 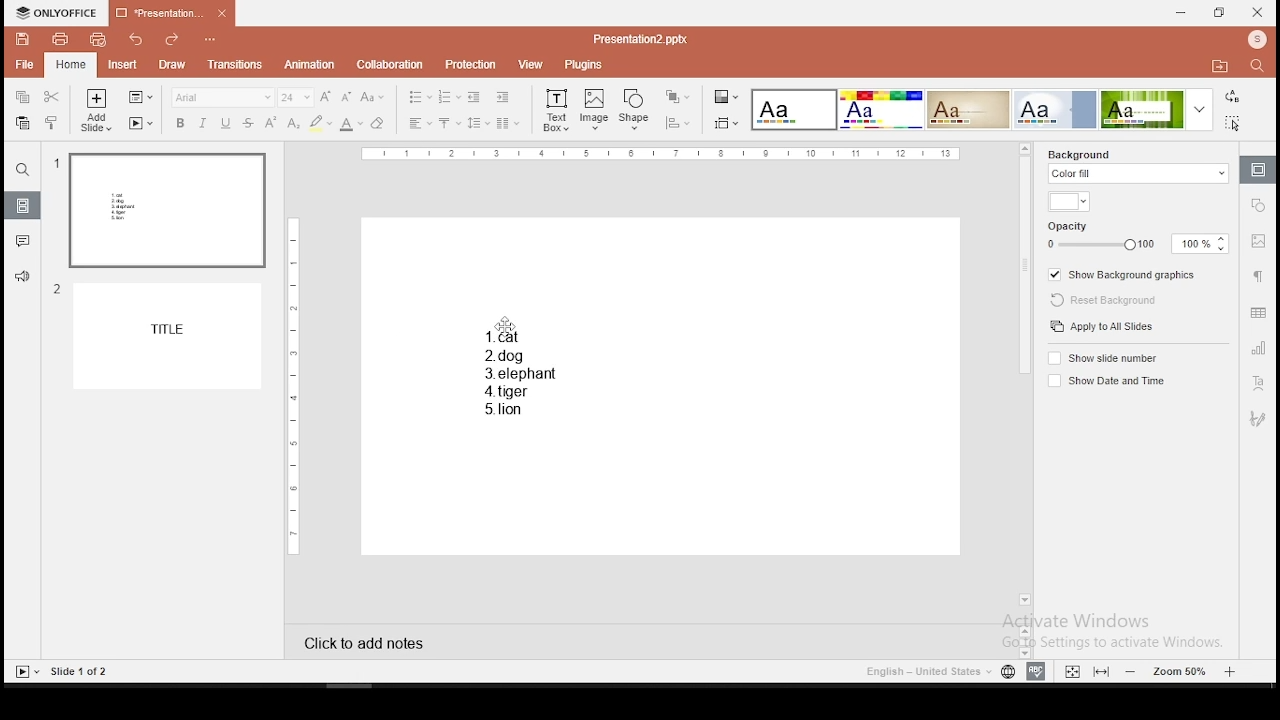 I want to click on change case, so click(x=372, y=96).